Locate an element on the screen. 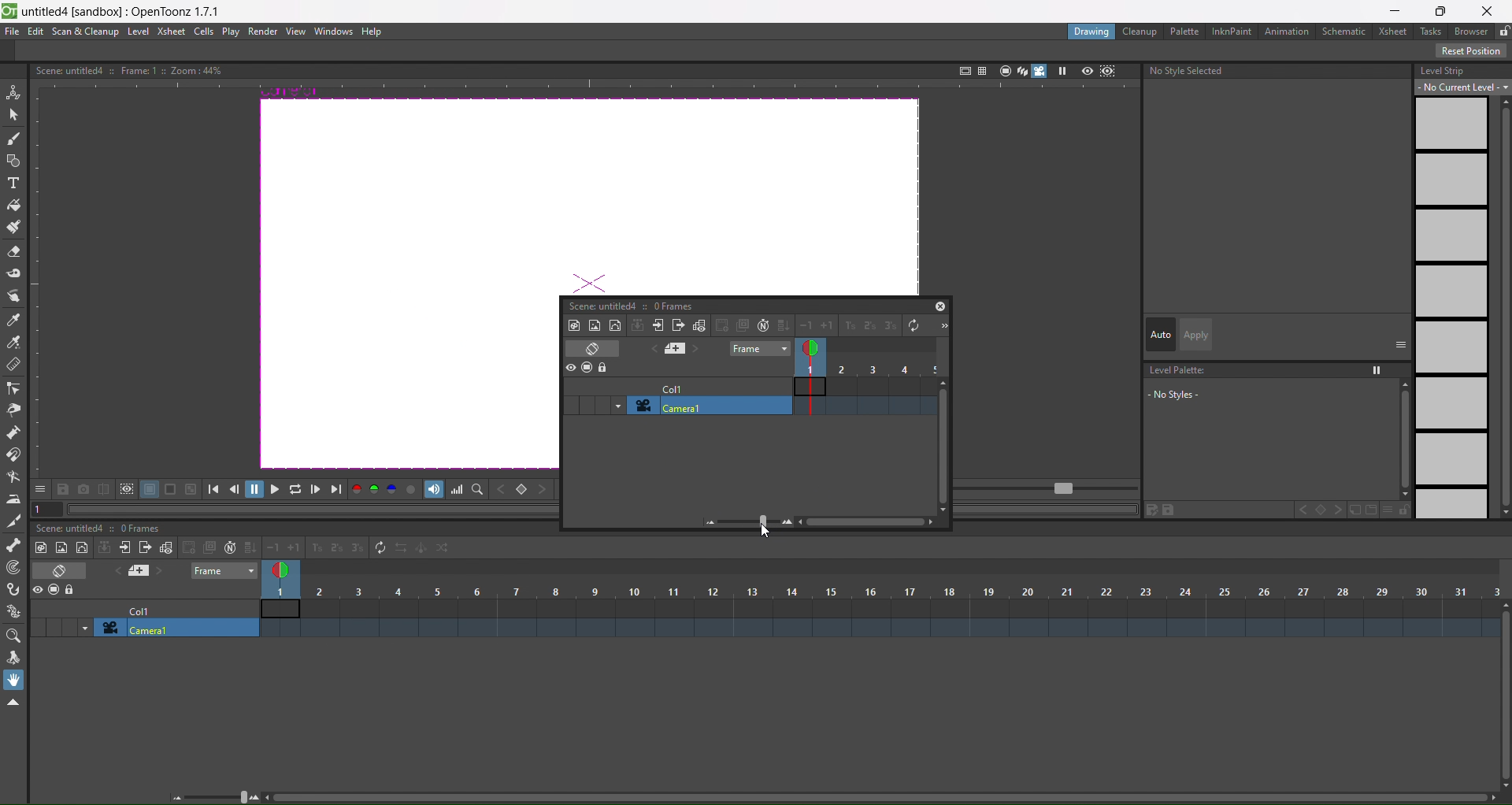 The width and height of the screenshot is (1512, 805). hide toolbar is located at coordinates (13, 703).